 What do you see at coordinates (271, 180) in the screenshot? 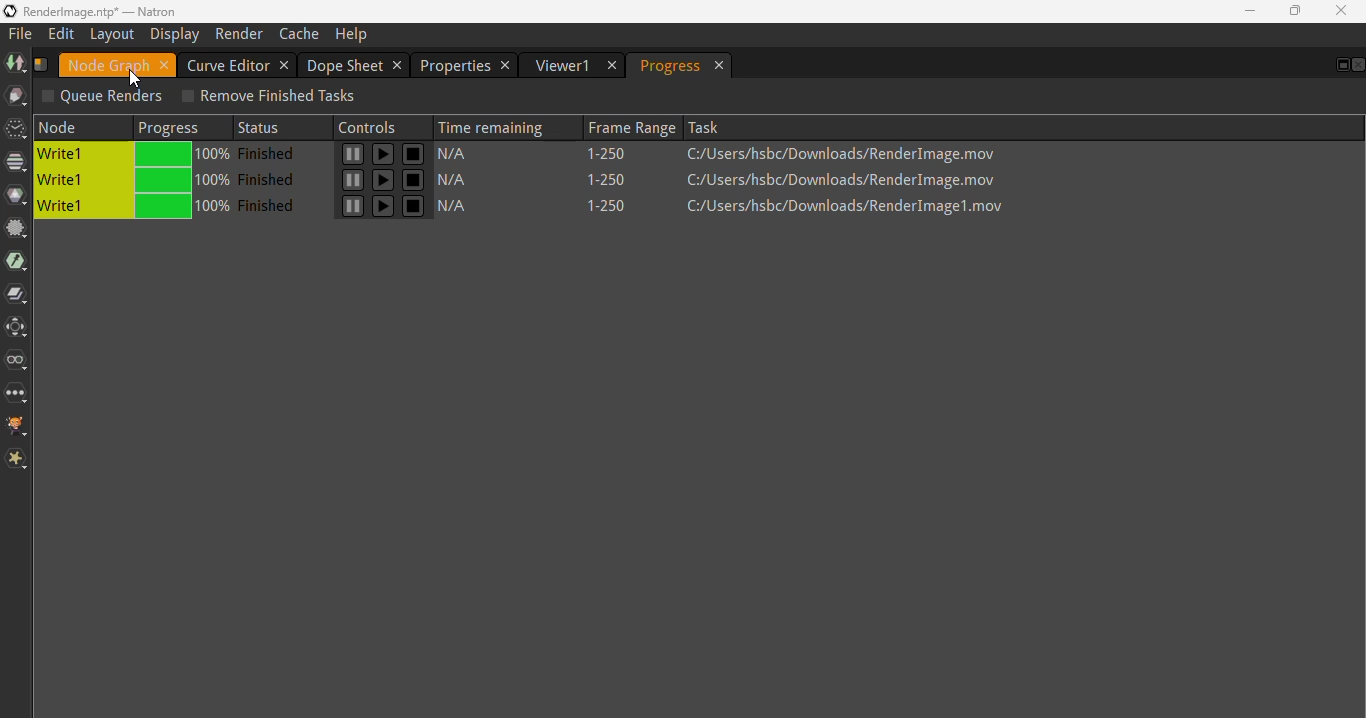
I see `finished` at bounding box center [271, 180].